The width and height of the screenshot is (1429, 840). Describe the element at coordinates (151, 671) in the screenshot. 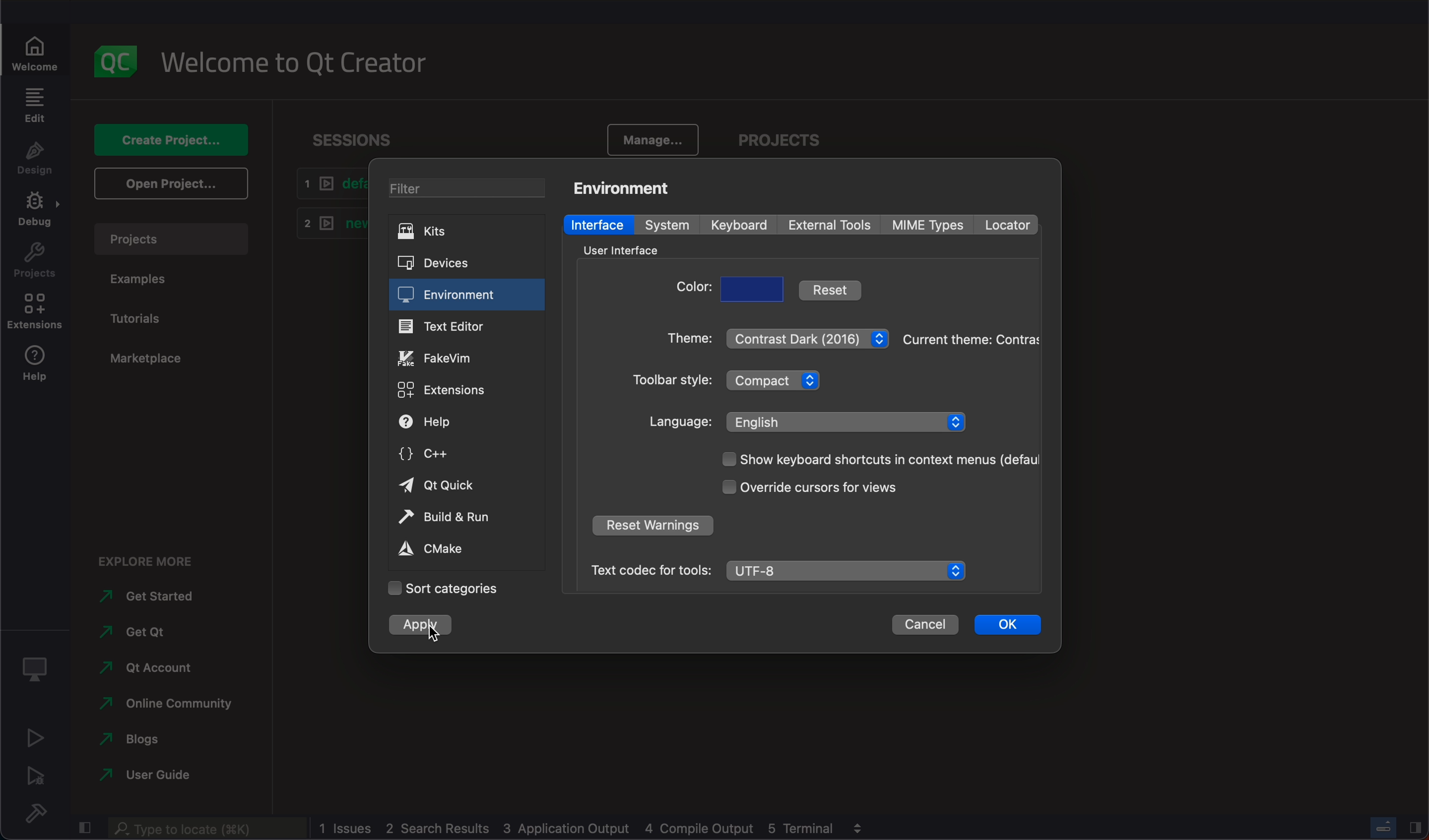

I see `qt account` at that location.